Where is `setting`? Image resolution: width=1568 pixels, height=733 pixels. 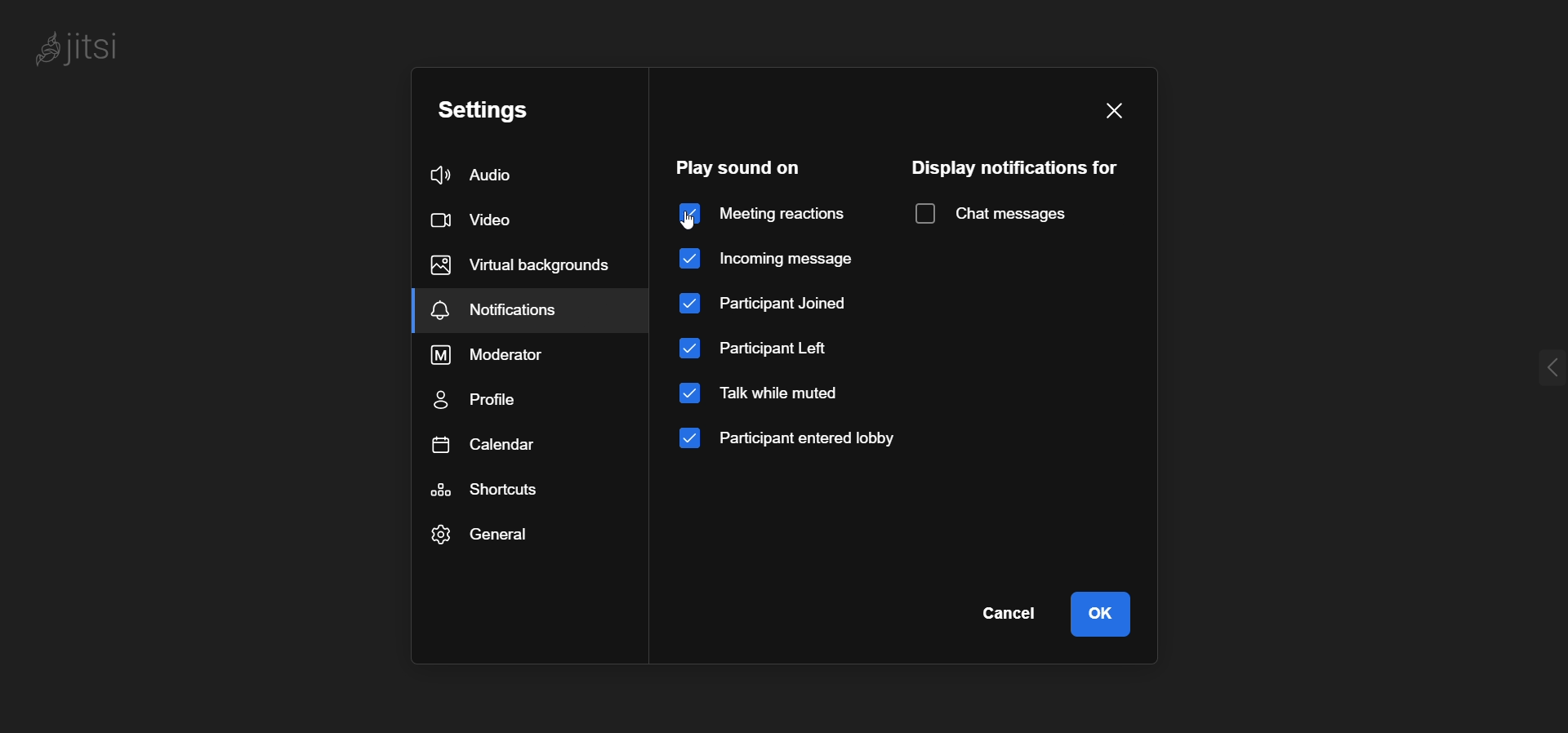 setting is located at coordinates (482, 110).